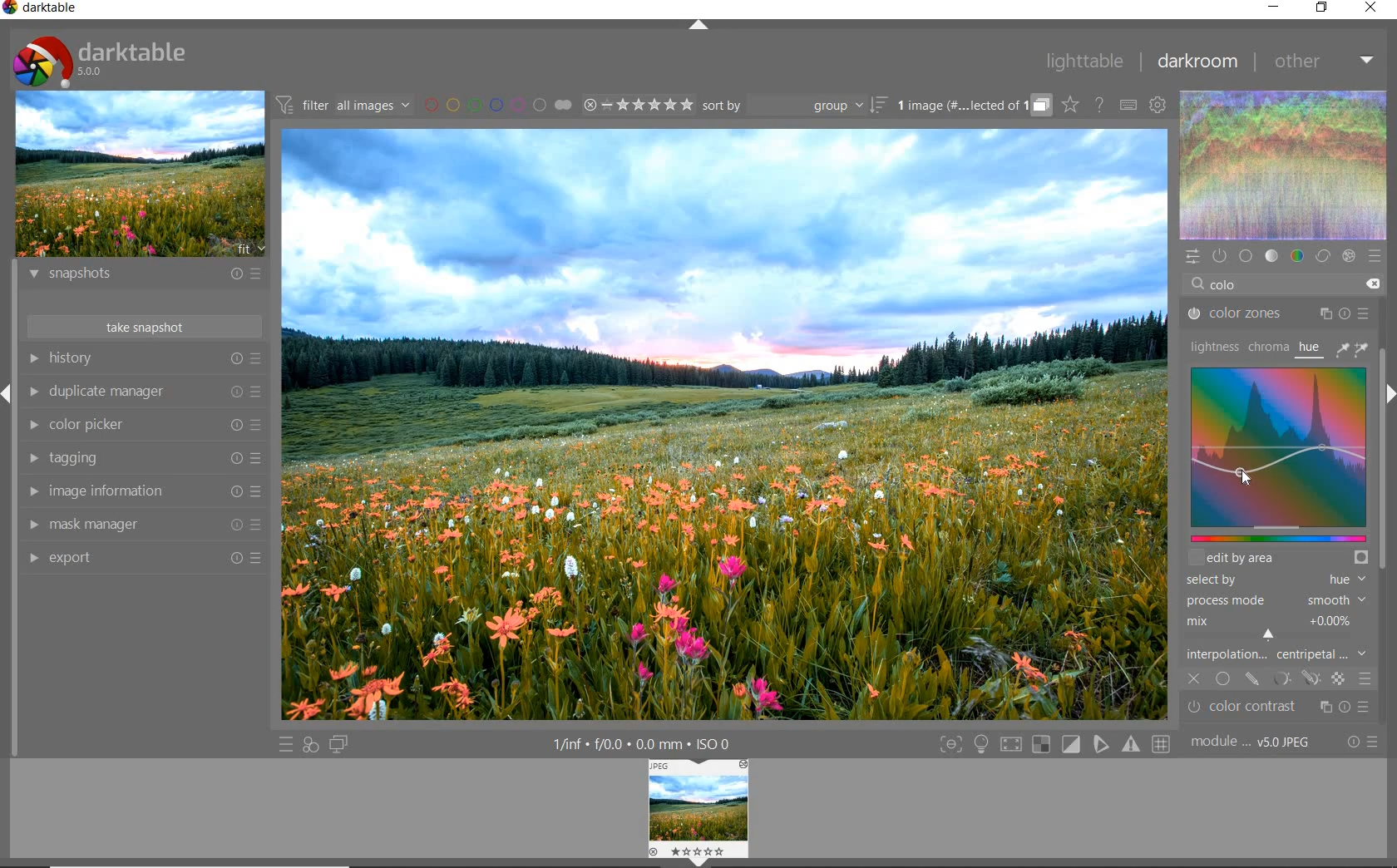  Describe the element at coordinates (1275, 580) in the screenshot. I see `select by` at that location.